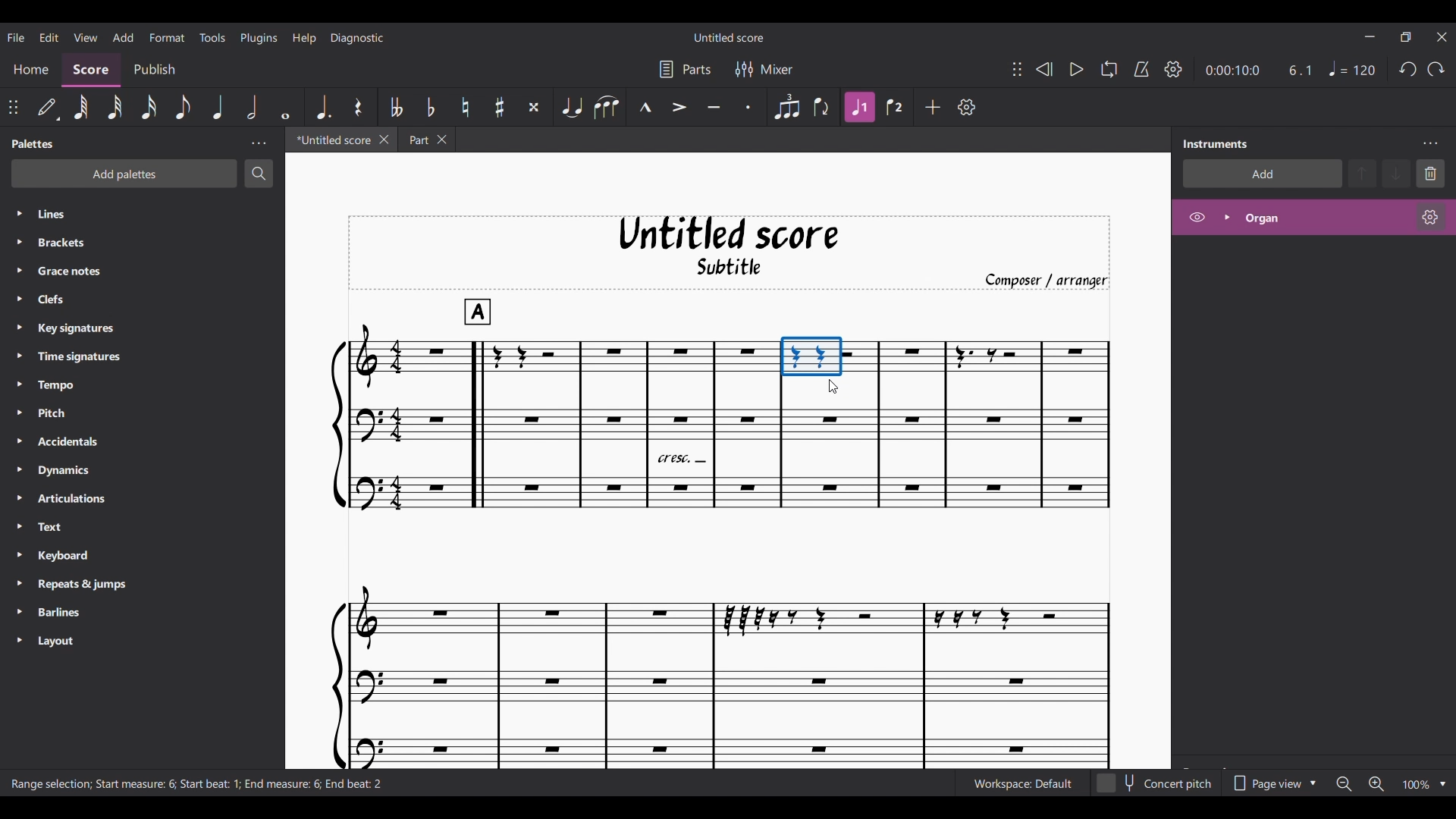  What do you see at coordinates (259, 144) in the screenshot?
I see `Palette panel settings` at bounding box center [259, 144].